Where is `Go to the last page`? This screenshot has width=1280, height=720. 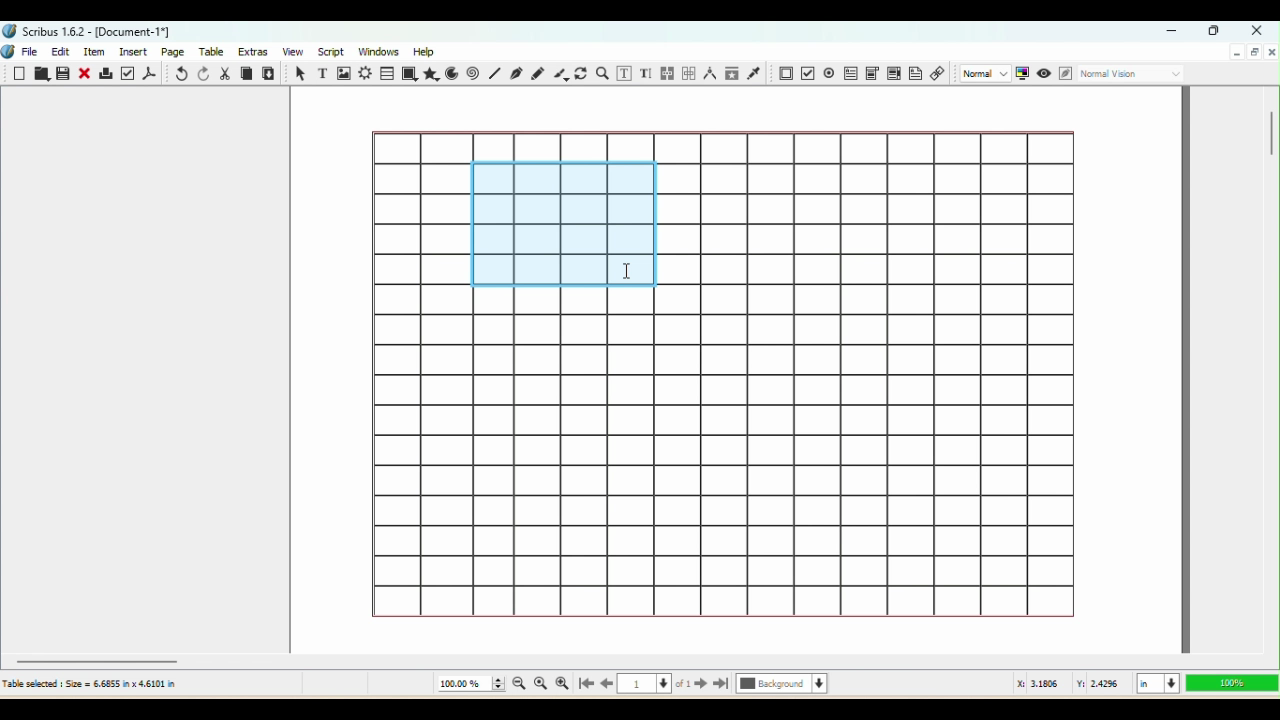
Go to the last page is located at coordinates (722, 685).